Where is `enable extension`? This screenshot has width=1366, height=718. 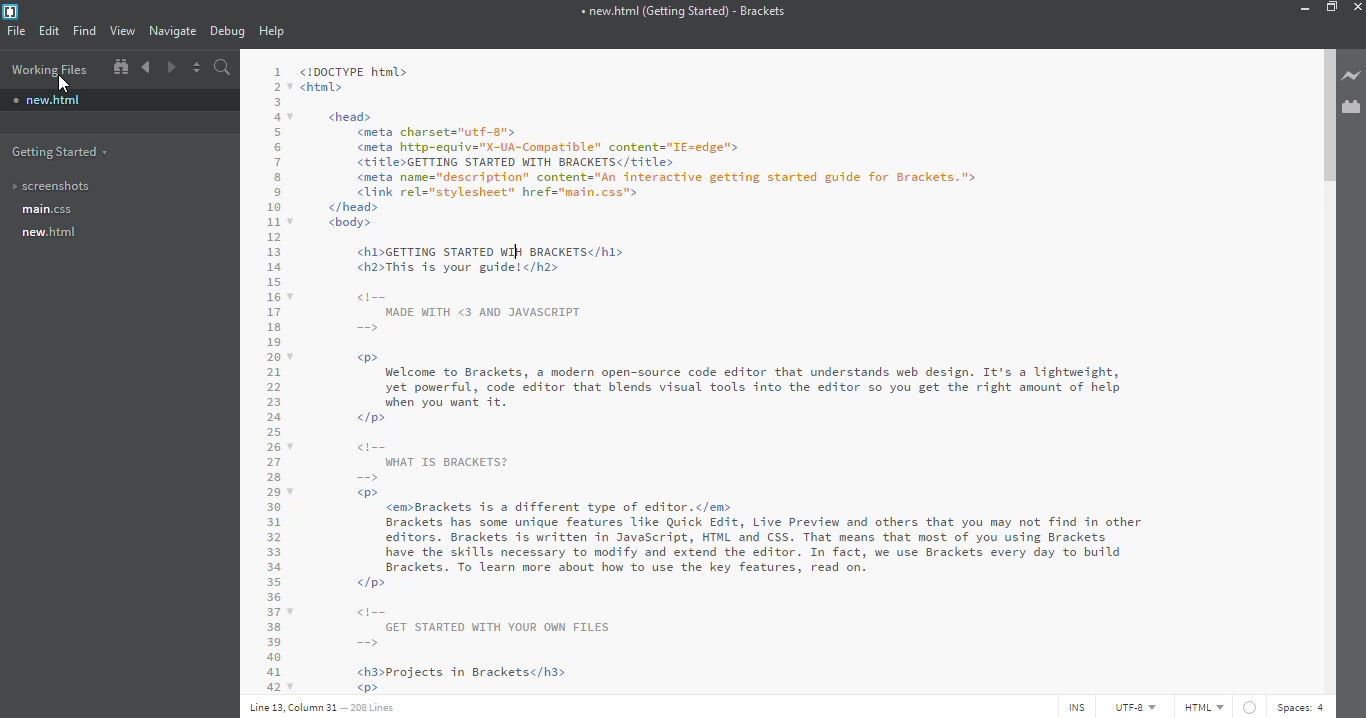
enable extension is located at coordinates (1351, 106).